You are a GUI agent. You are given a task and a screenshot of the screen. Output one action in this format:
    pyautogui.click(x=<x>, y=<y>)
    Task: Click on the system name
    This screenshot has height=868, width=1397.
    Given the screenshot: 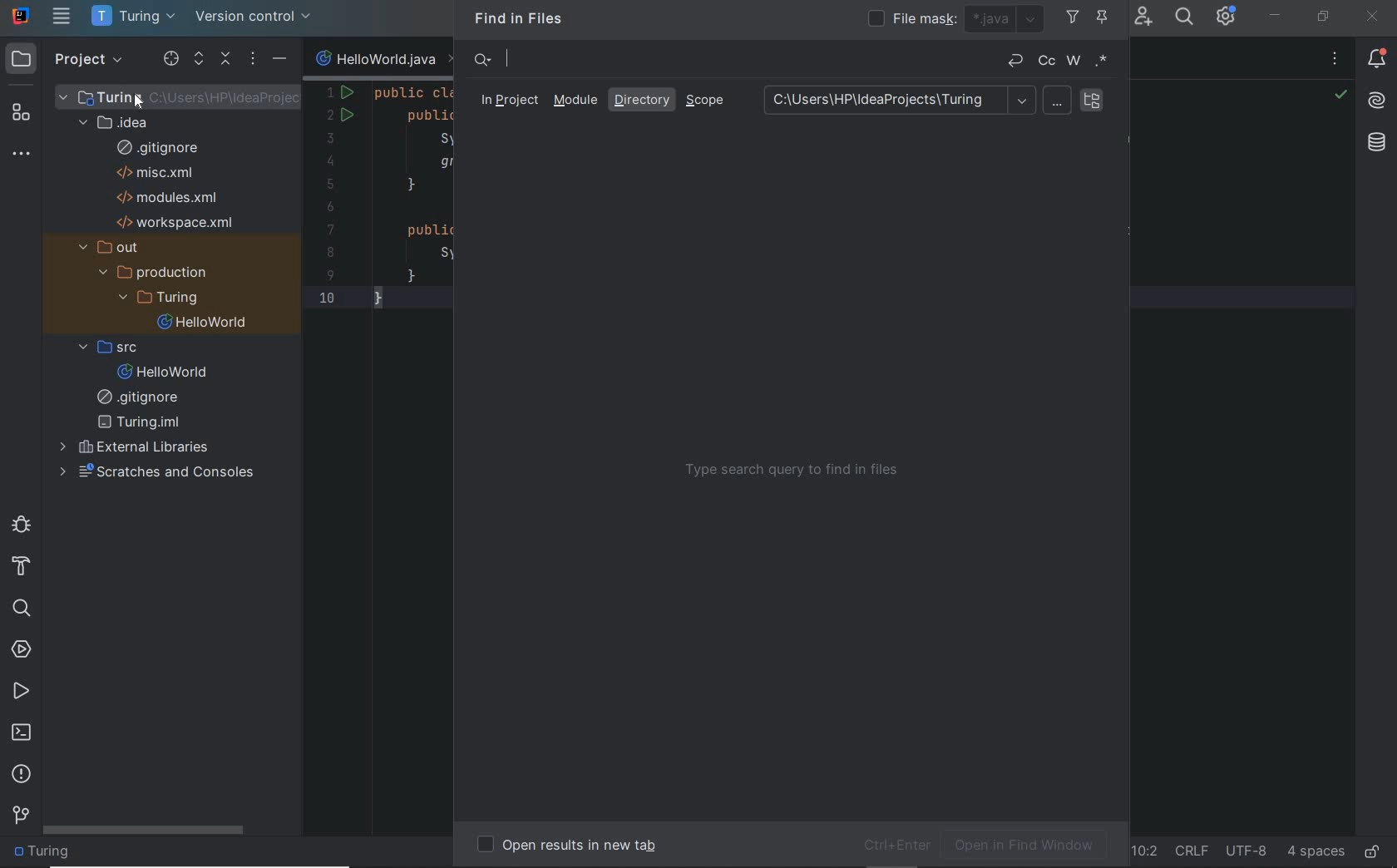 What is the action you would take?
    pyautogui.click(x=21, y=16)
    